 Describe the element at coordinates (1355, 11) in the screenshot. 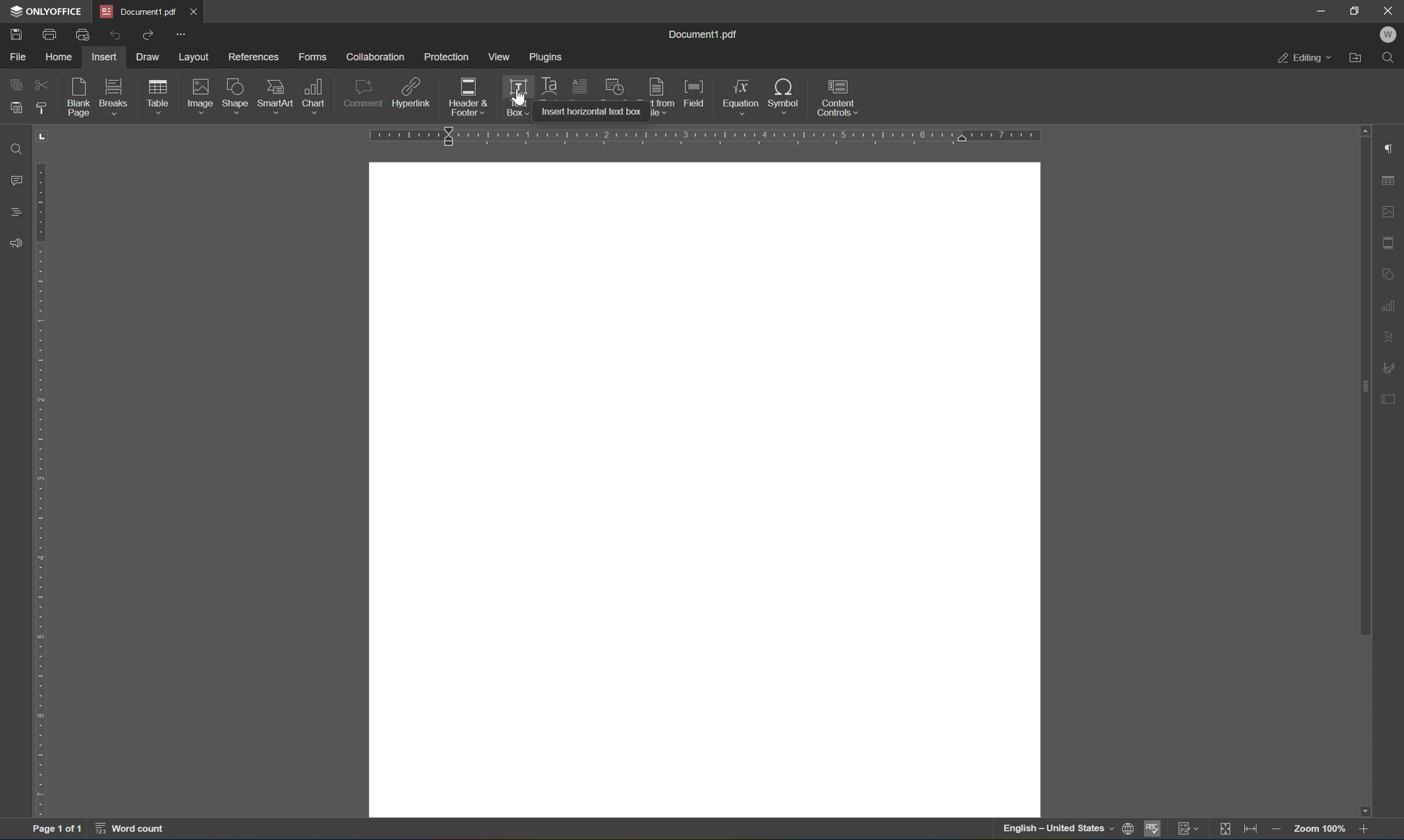

I see `Restore down` at that location.